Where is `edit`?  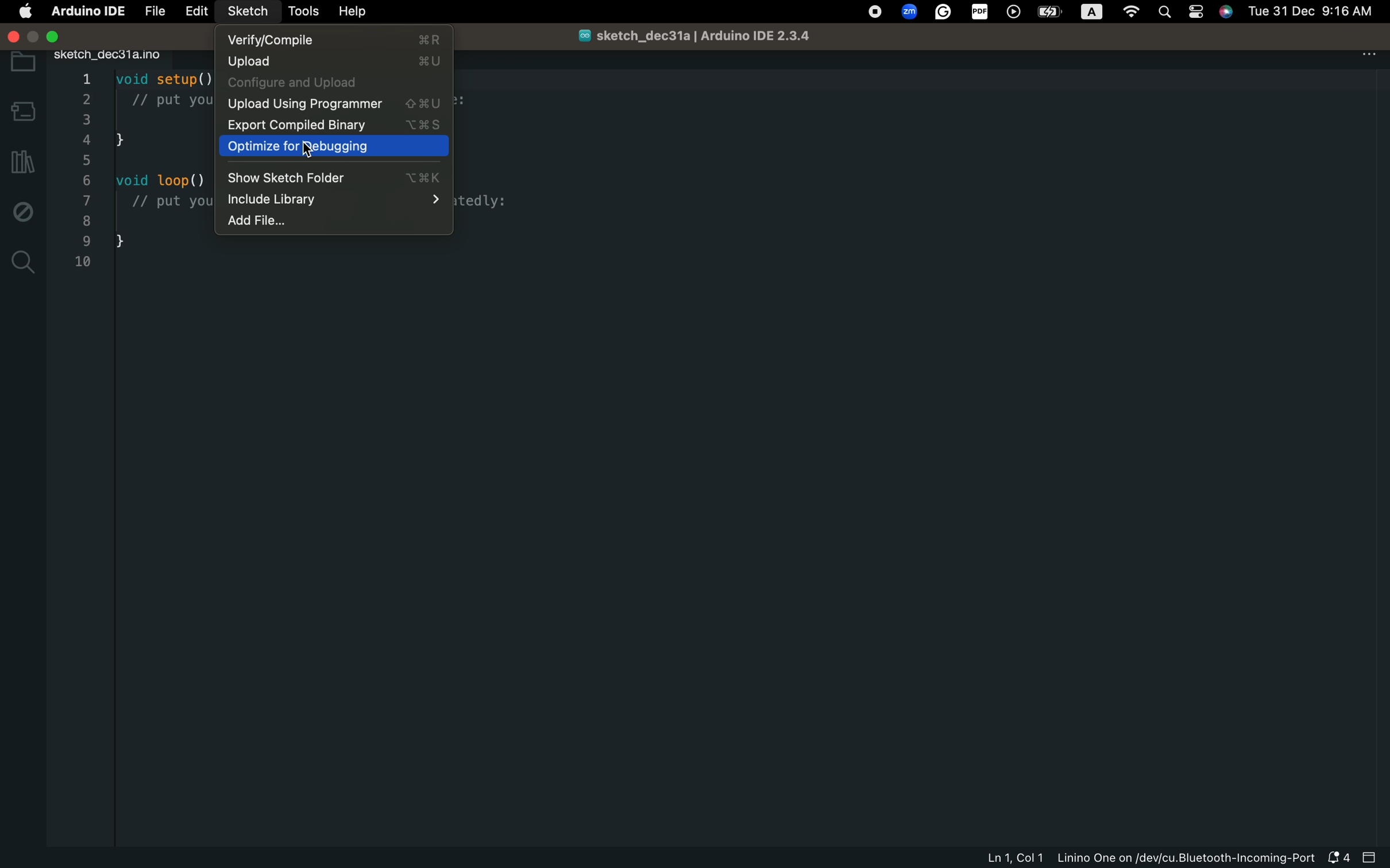
edit is located at coordinates (196, 12).